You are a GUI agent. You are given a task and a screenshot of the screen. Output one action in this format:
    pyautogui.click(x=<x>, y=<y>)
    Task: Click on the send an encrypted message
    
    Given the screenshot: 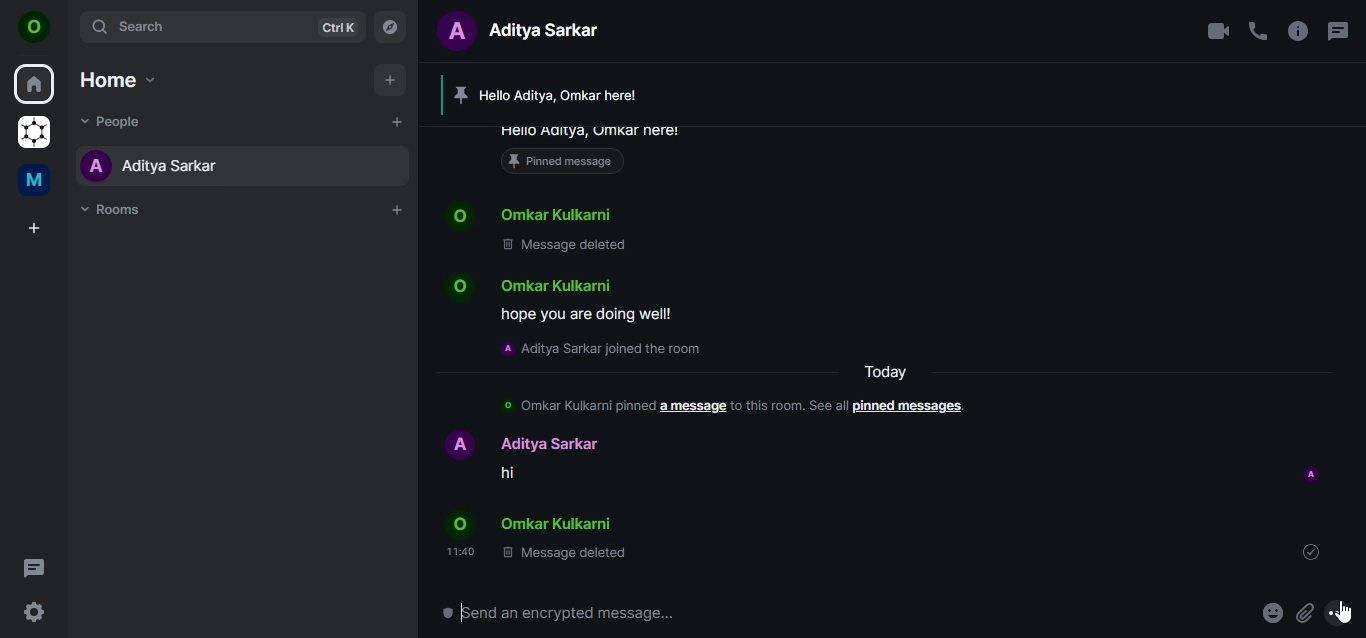 What is the action you would take?
    pyautogui.click(x=669, y=619)
    